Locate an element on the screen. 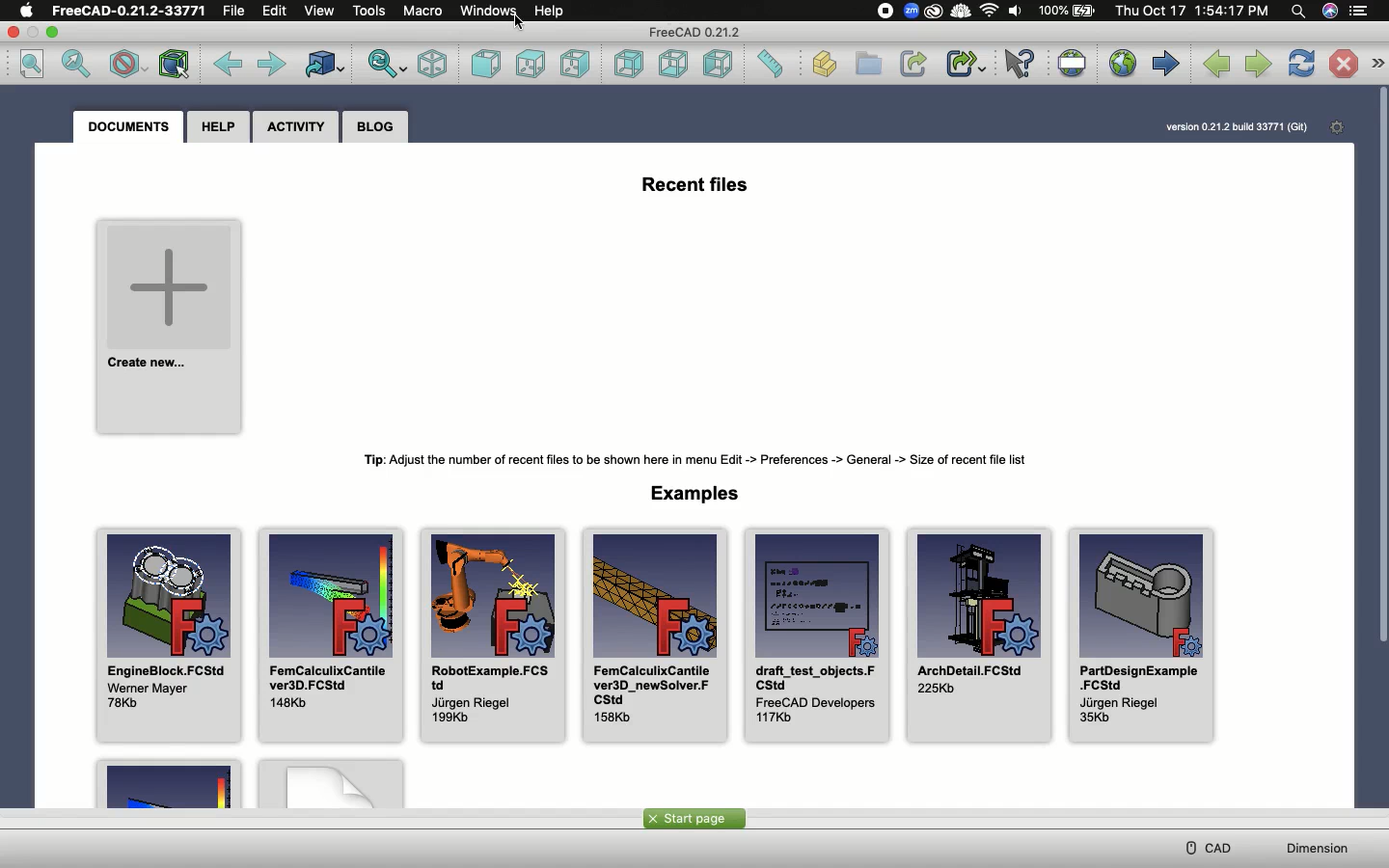 The image size is (1389, 868). Open start page preferences is located at coordinates (1337, 128).